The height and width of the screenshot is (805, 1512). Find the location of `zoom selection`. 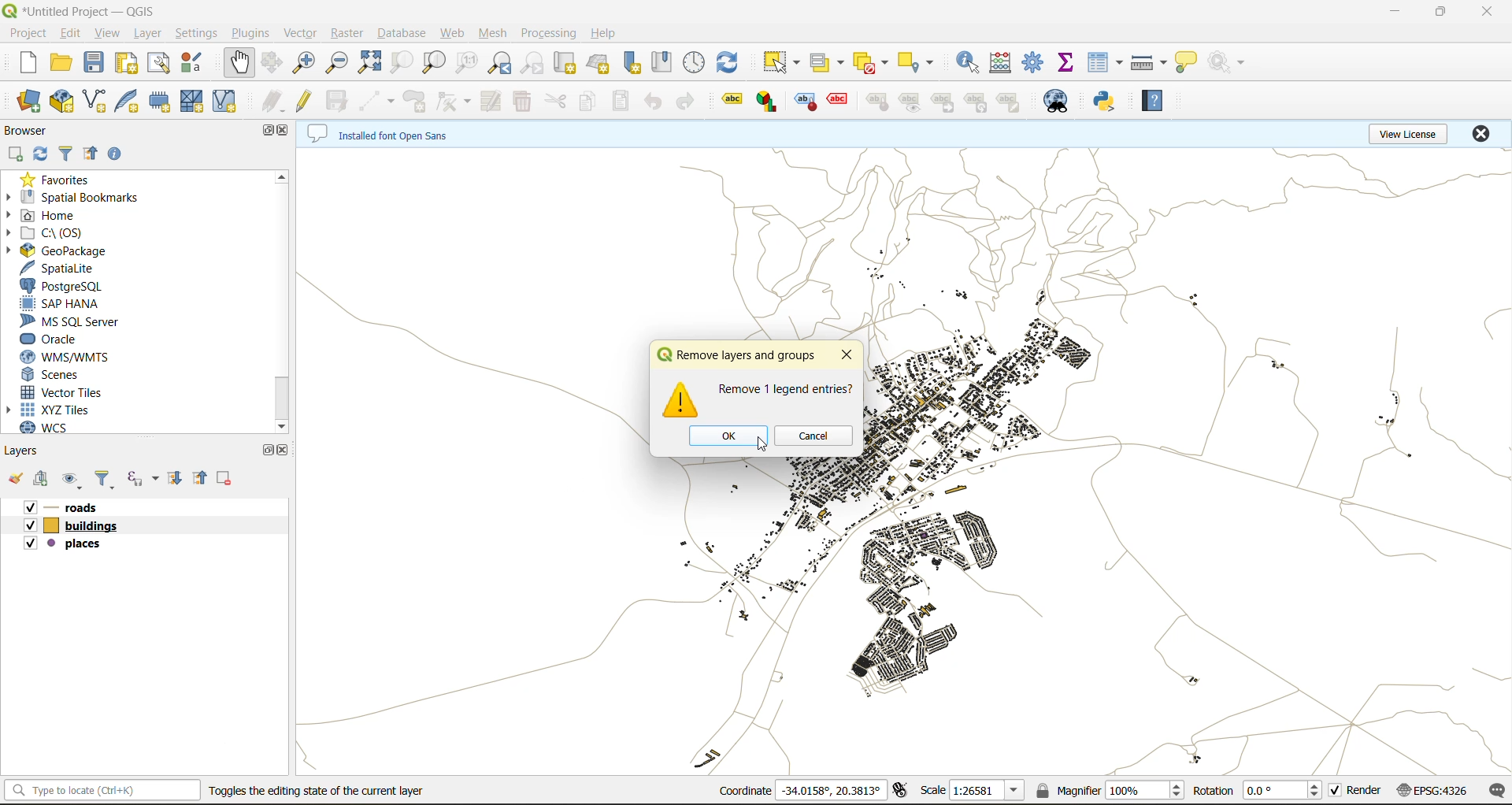

zoom selection is located at coordinates (402, 63).